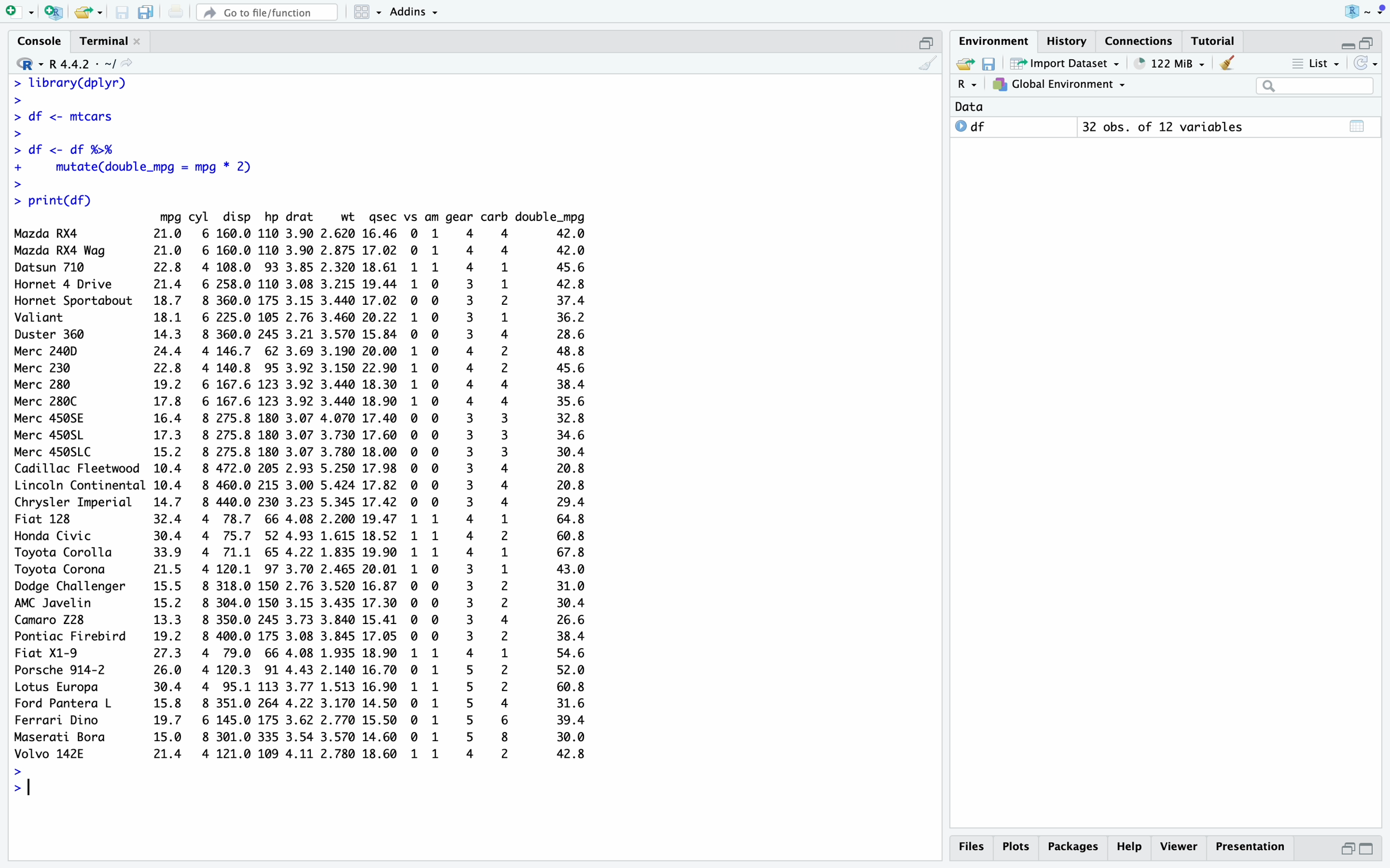  I want to click on Addins, so click(414, 13).